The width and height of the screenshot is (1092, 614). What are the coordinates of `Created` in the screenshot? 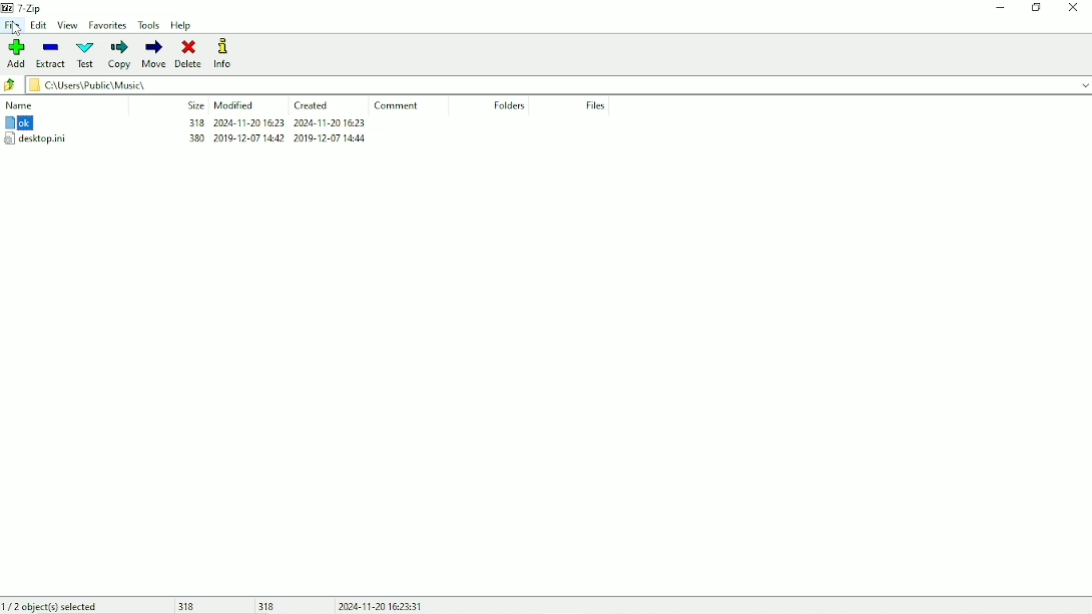 It's located at (313, 105).